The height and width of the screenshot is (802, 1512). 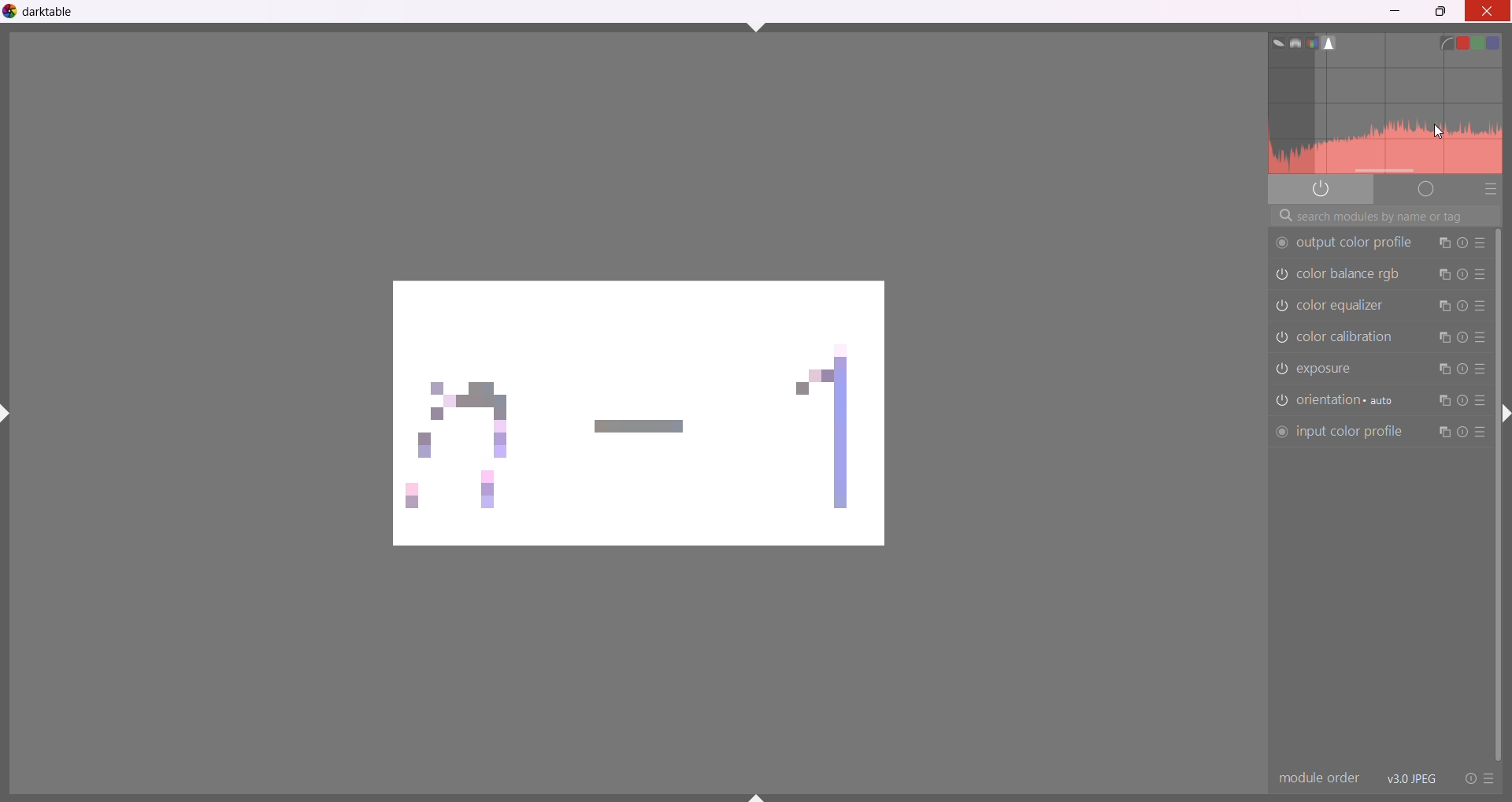 What do you see at coordinates (1440, 403) in the screenshot?
I see `instance` at bounding box center [1440, 403].